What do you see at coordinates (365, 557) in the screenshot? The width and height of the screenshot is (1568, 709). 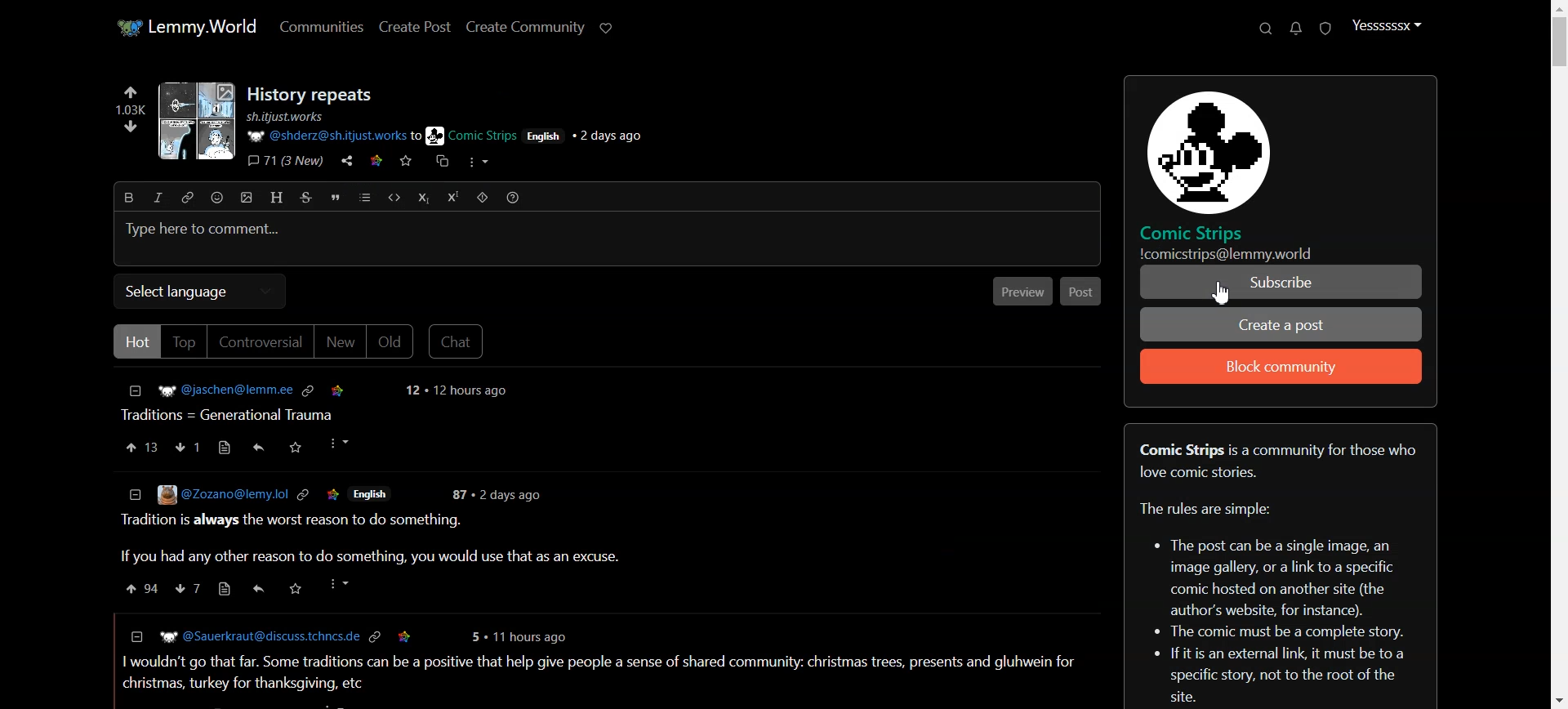 I see `If you had any other reason to do something, you would use that as an excuse.` at bounding box center [365, 557].